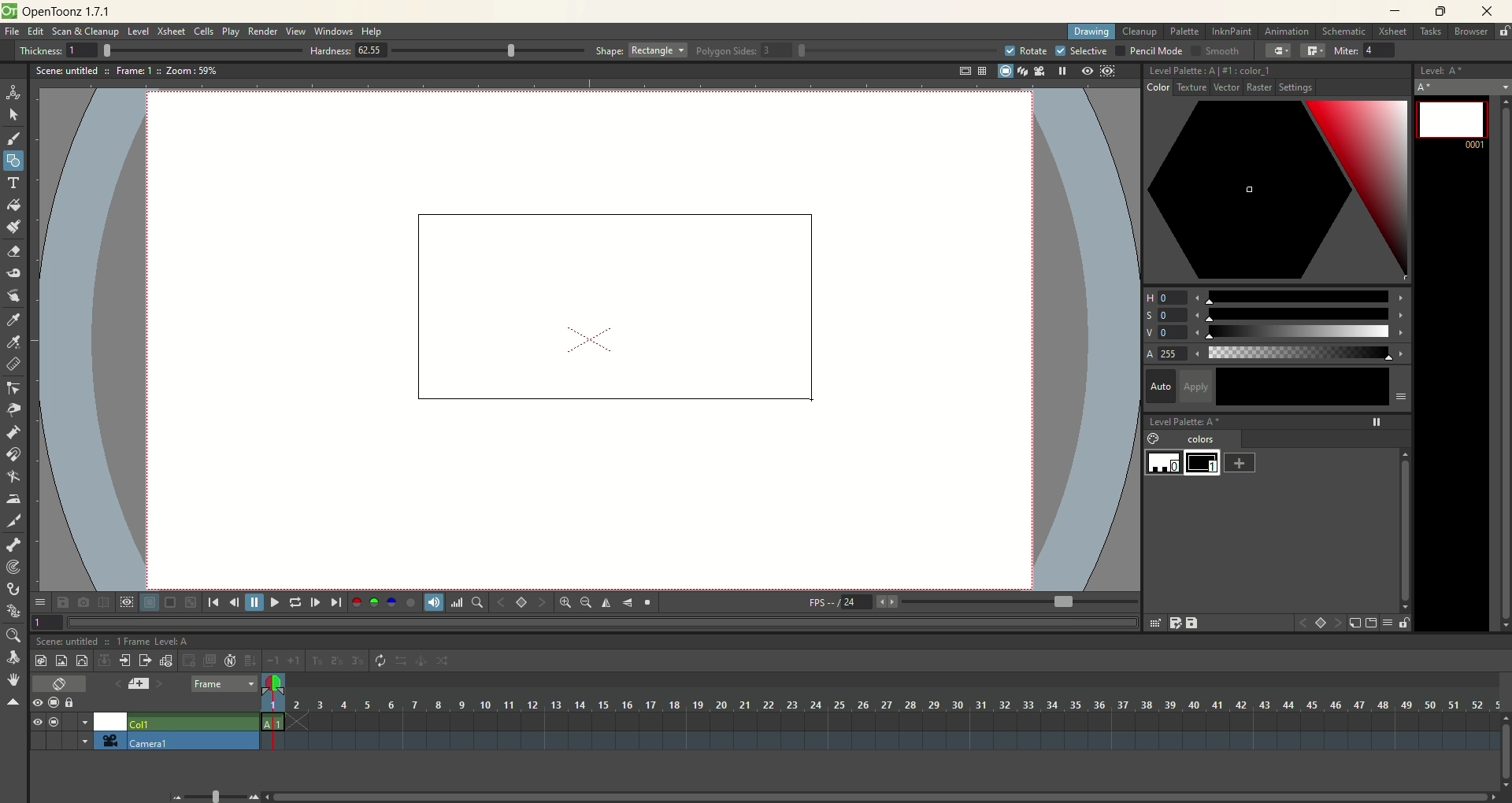 The image size is (1512, 803). What do you see at coordinates (224, 685) in the screenshot?
I see `frame` at bounding box center [224, 685].